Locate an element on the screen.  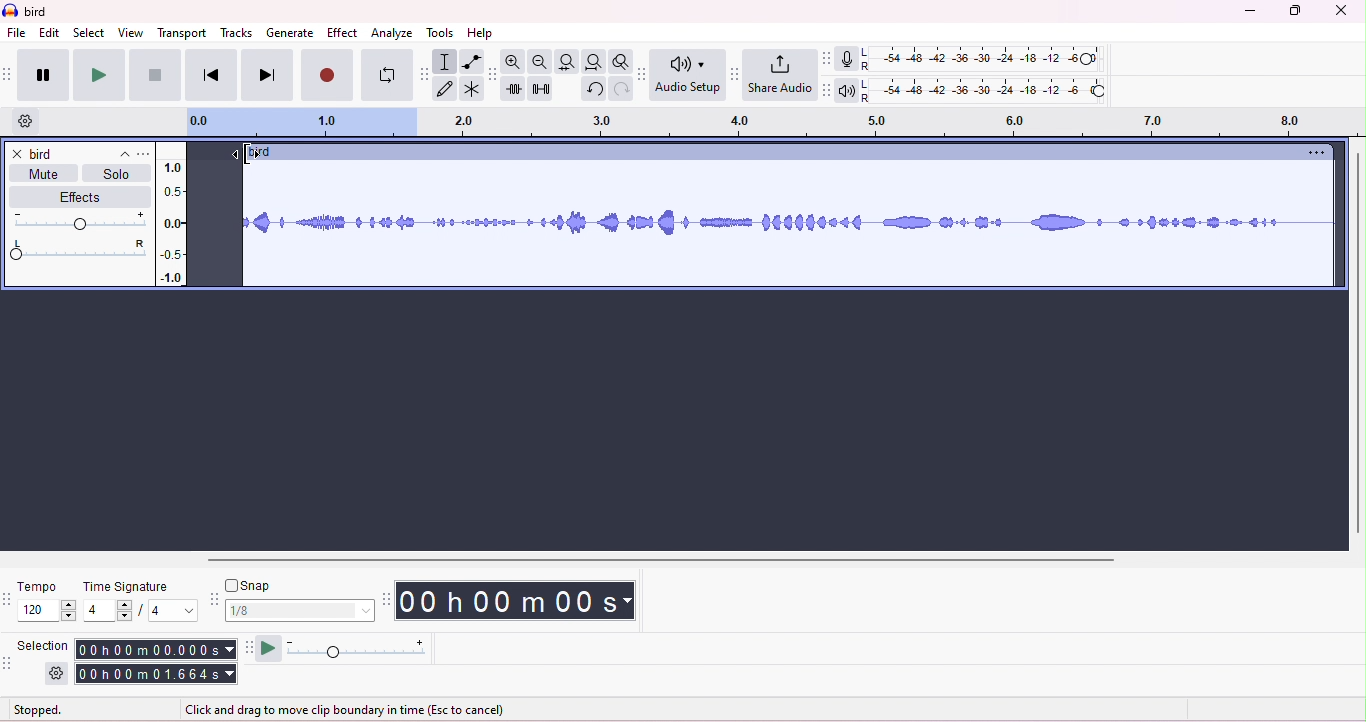
options is located at coordinates (143, 154).